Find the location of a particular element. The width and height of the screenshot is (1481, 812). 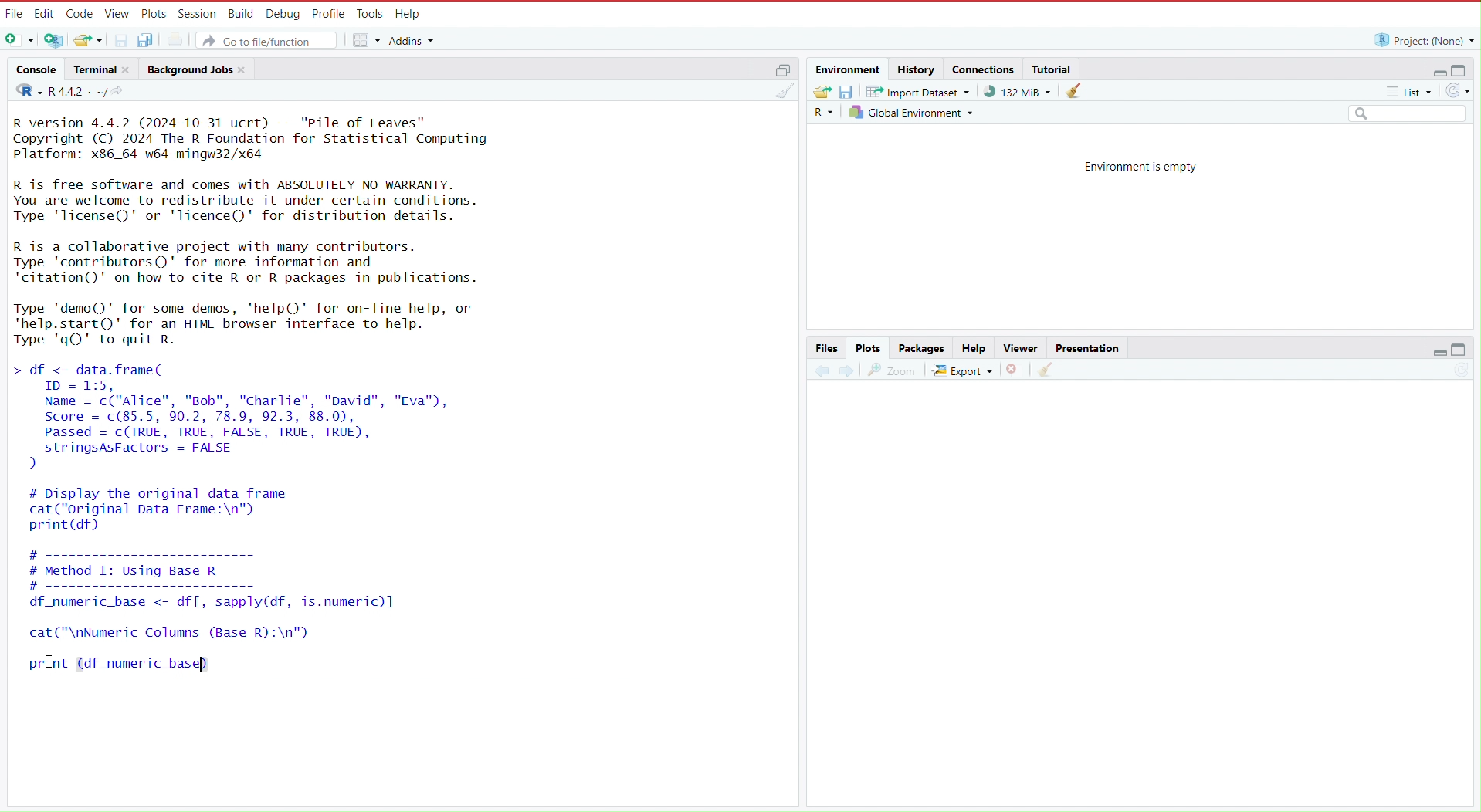

remove the current plot is located at coordinates (1014, 370).